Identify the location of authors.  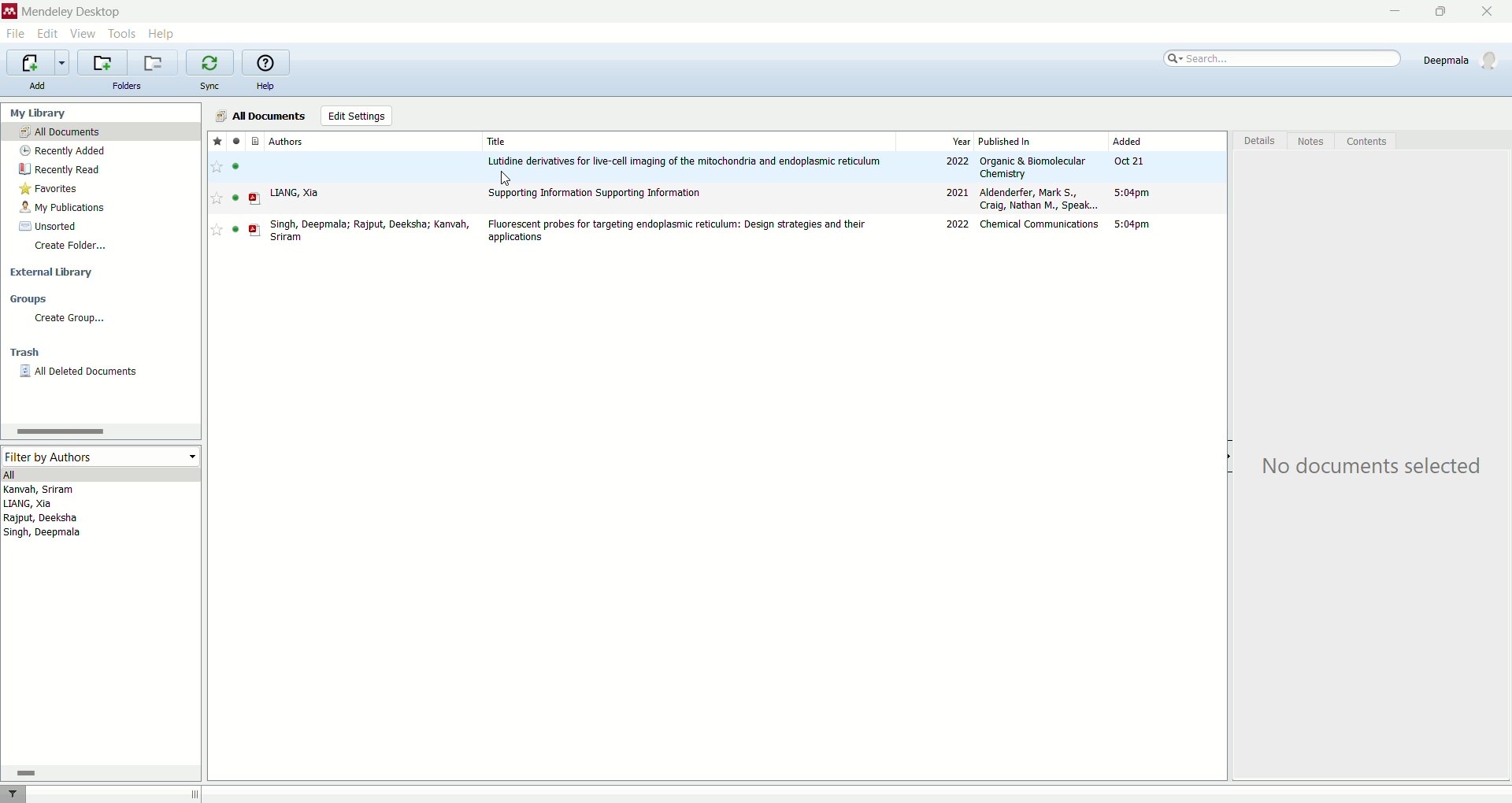
(287, 139).